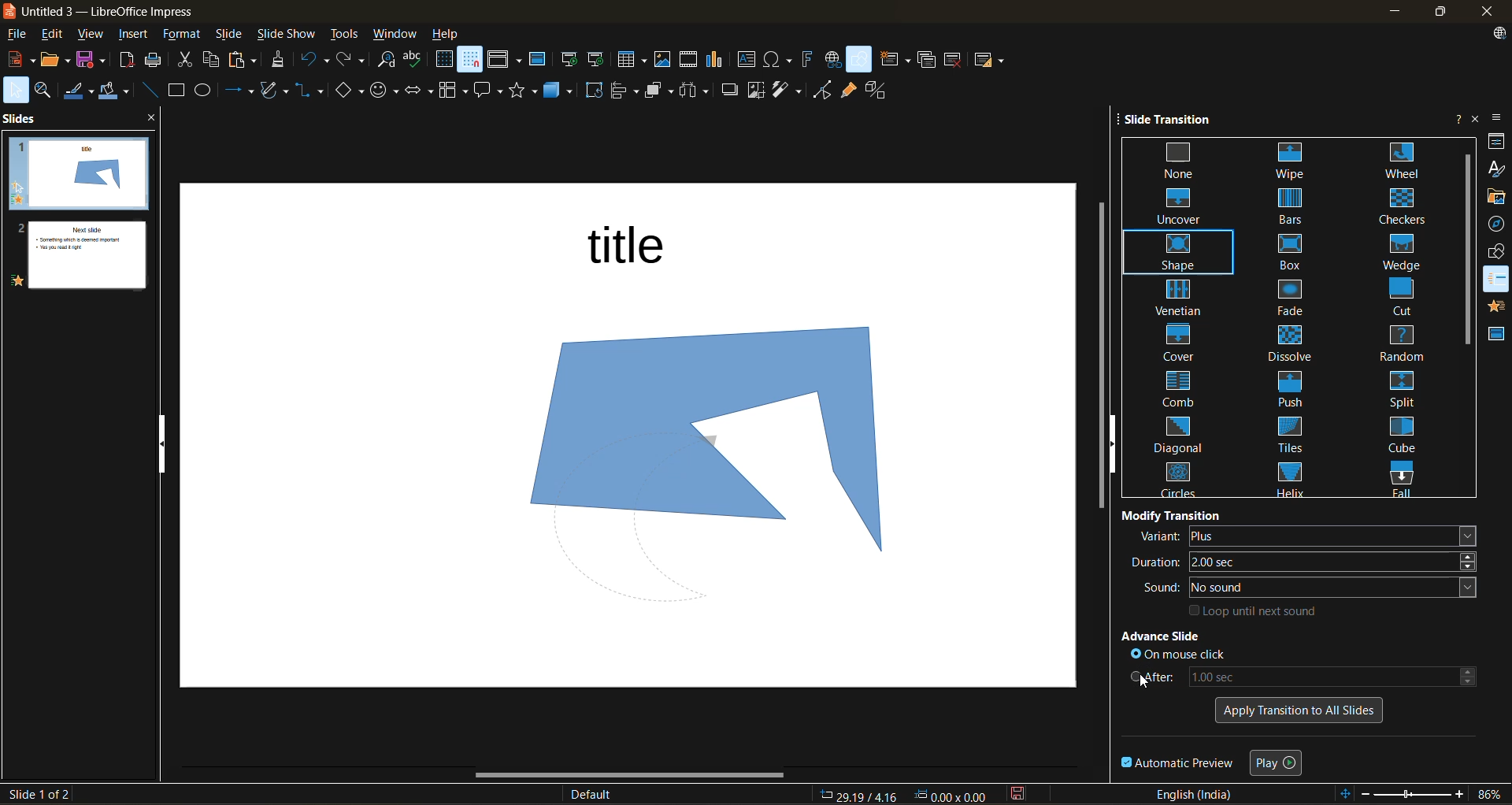 The image size is (1512, 805). What do you see at coordinates (156, 61) in the screenshot?
I see `print` at bounding box center [156, 61].